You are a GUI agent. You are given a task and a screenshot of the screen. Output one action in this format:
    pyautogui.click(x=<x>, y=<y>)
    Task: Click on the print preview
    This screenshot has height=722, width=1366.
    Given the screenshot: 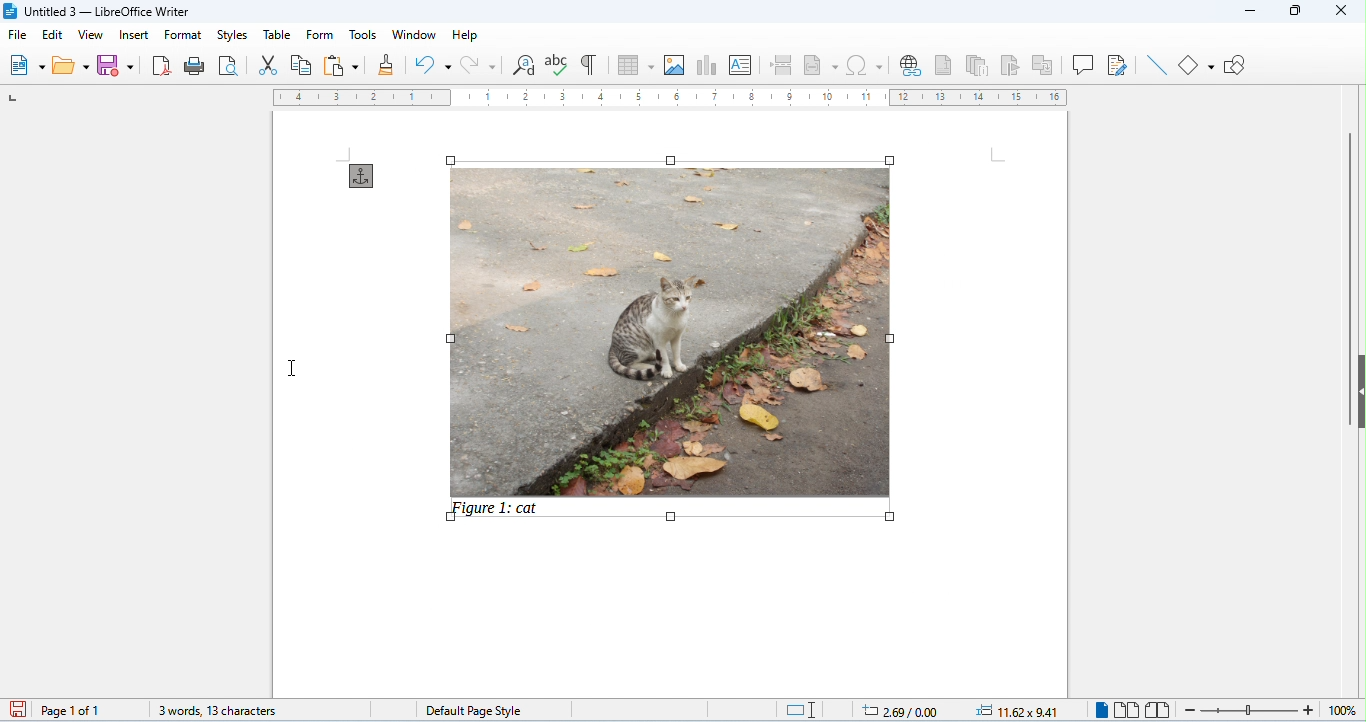 What is the action you would take?
    pyautogui.click(x=229, y=65)
    